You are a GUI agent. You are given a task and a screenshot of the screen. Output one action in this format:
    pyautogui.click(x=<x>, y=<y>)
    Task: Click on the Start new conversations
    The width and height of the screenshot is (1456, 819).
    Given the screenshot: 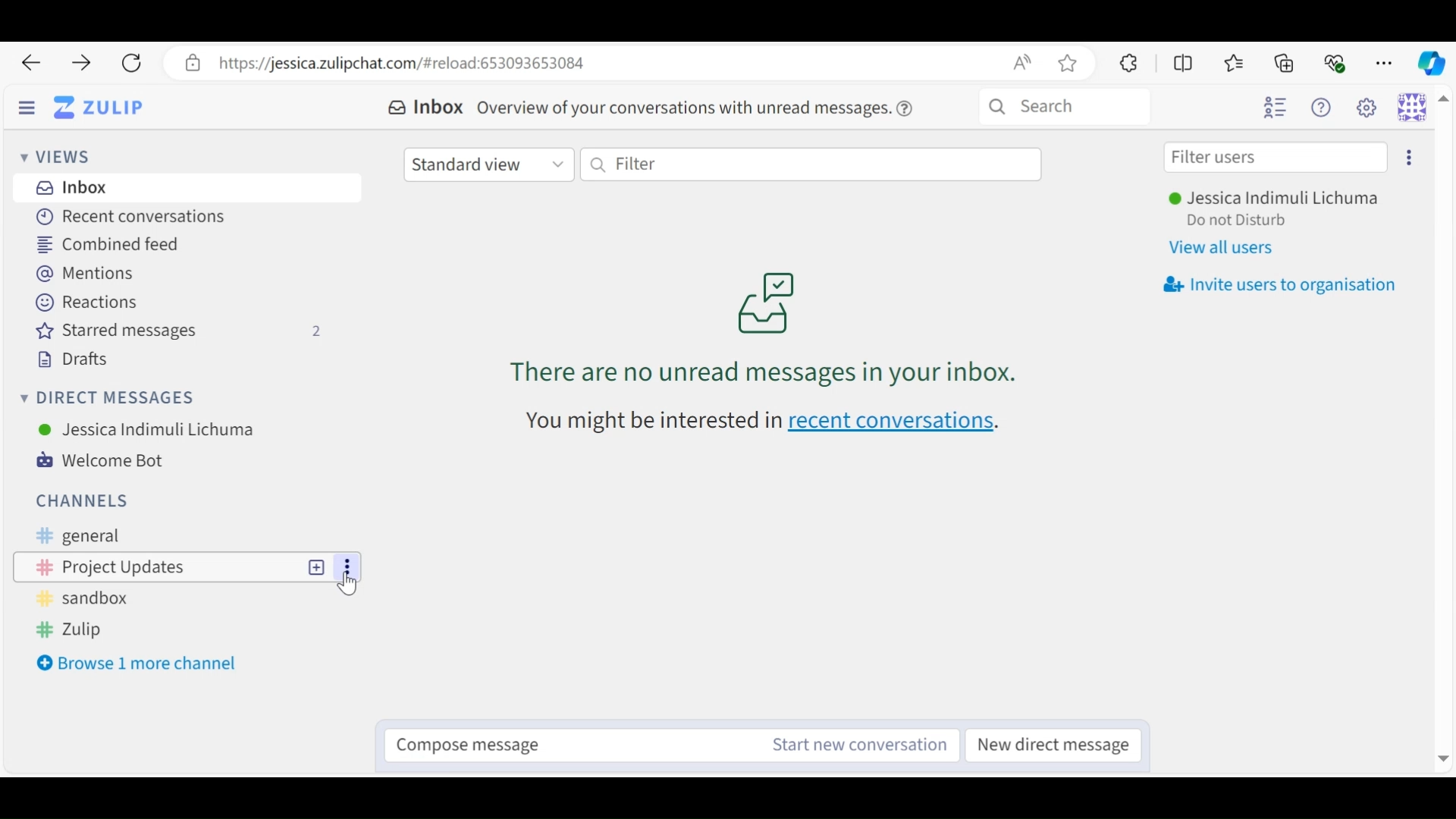 What is the action you would take?
    pyautogui.click(x=854, y=745)
    